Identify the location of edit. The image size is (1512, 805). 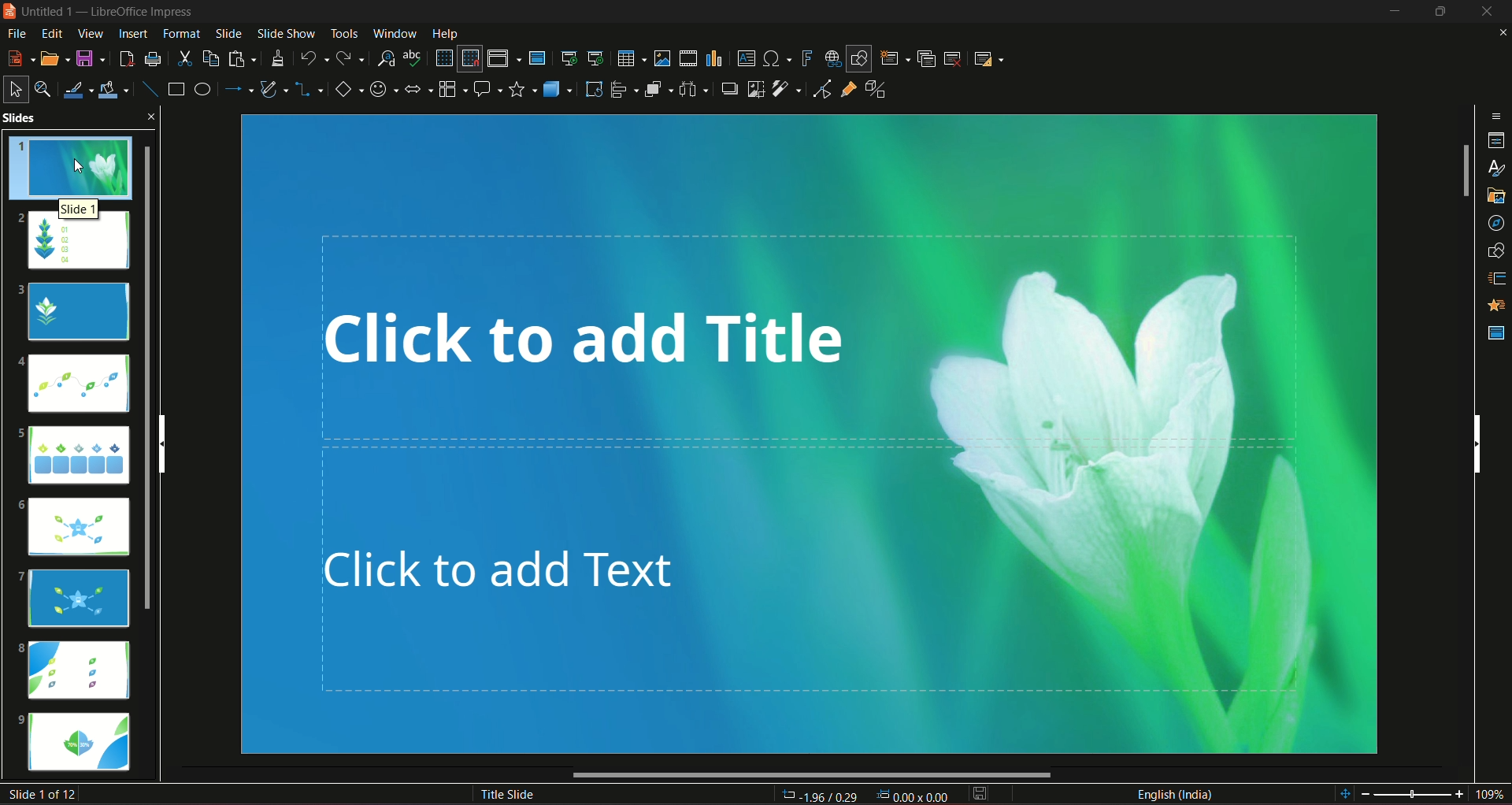
(50, 33).